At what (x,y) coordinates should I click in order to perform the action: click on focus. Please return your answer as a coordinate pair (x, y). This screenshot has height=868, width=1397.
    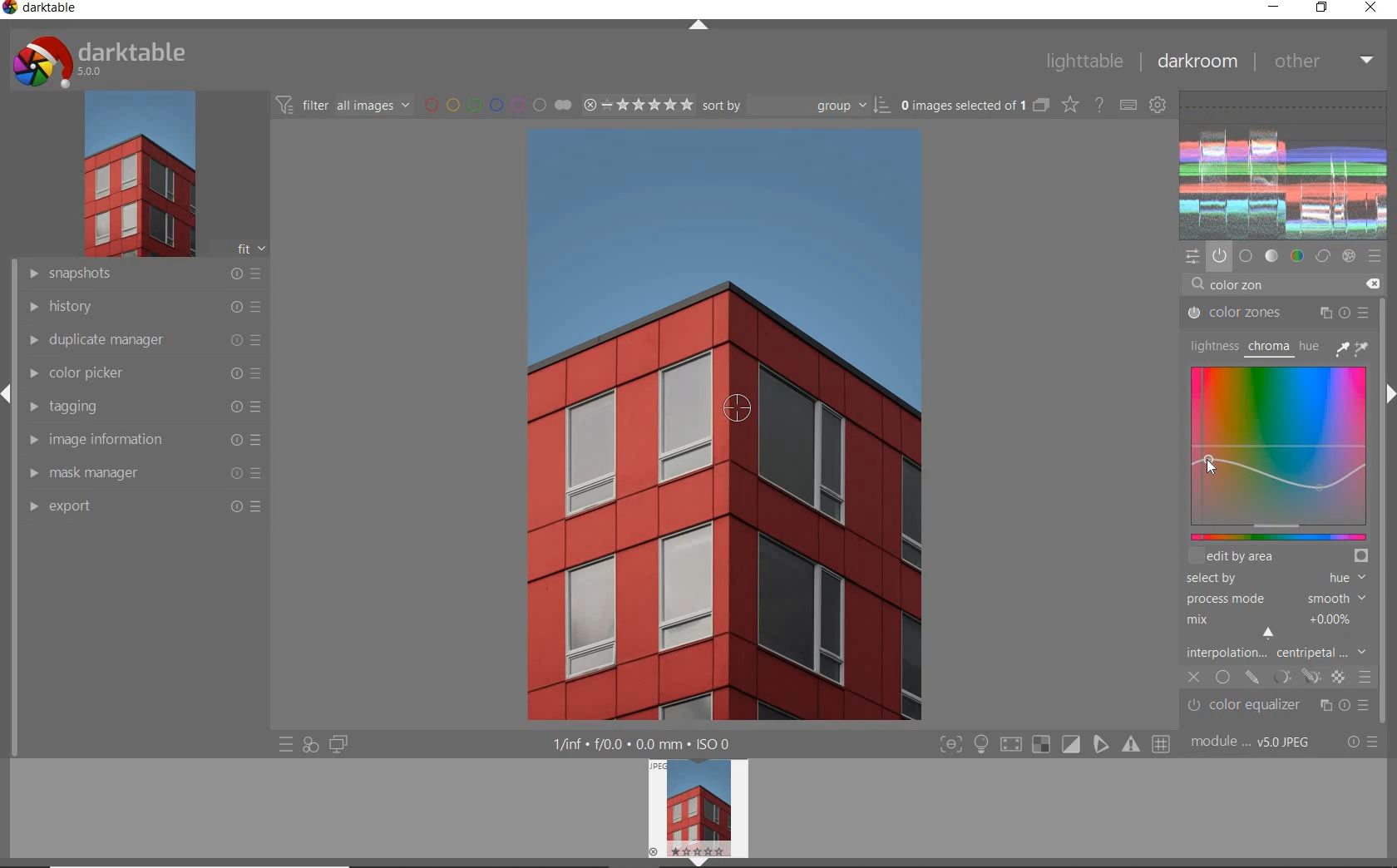
    Looking at the image, I should click on (947, 743).